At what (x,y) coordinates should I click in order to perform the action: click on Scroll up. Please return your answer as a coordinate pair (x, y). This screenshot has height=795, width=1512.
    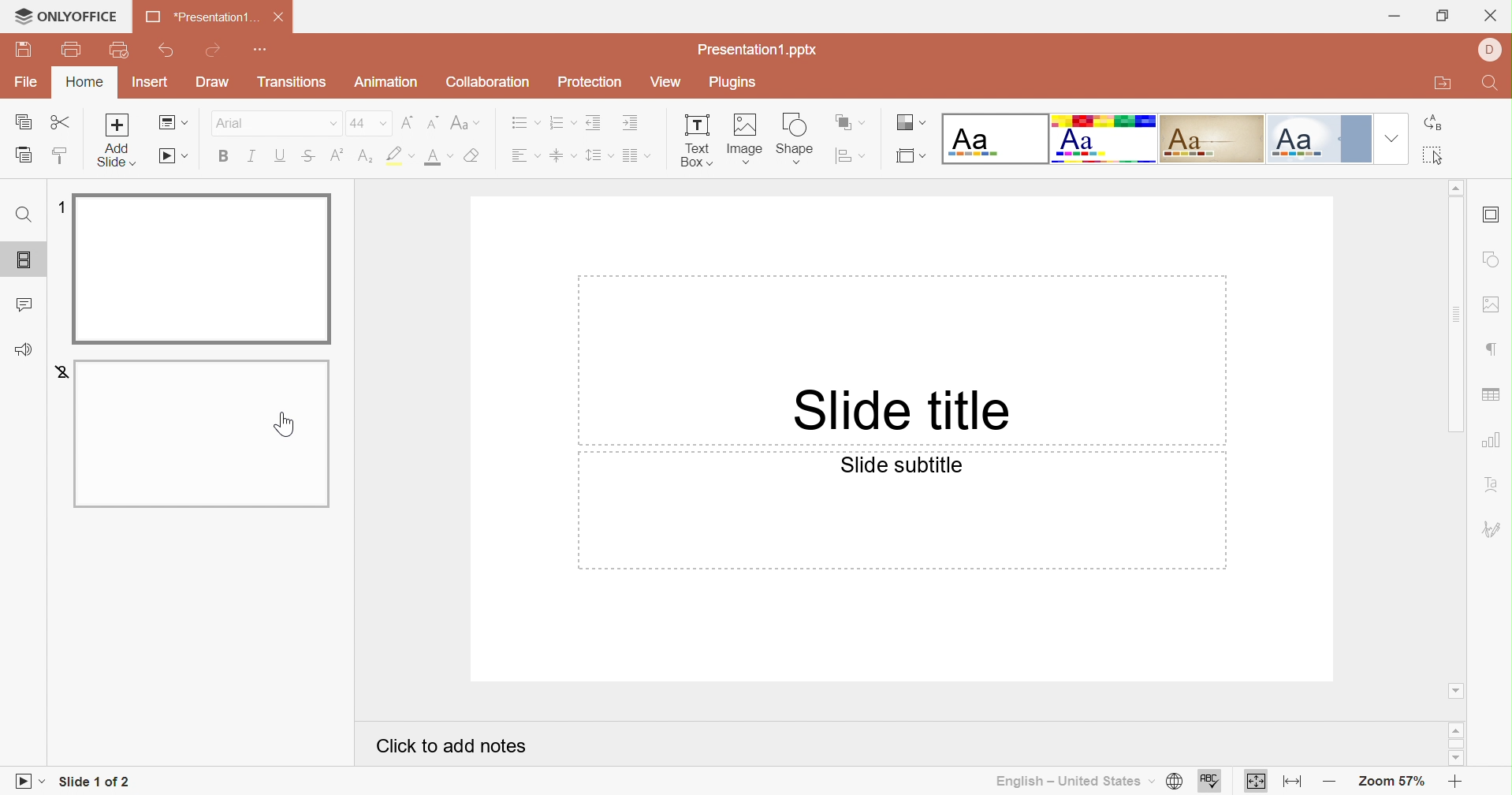
    Looking at the image, I should click on (1454, 185).